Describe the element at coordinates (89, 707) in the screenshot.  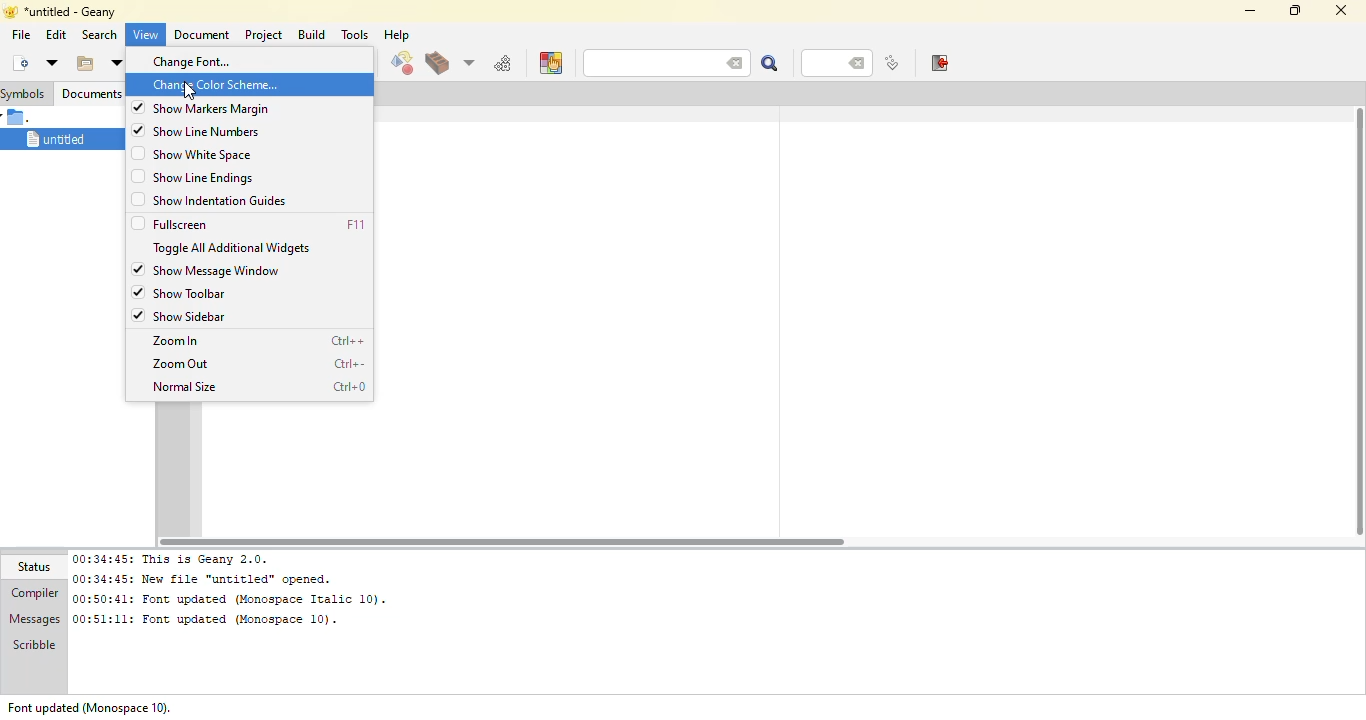
I see `font updated (monospace 10).` at that location.